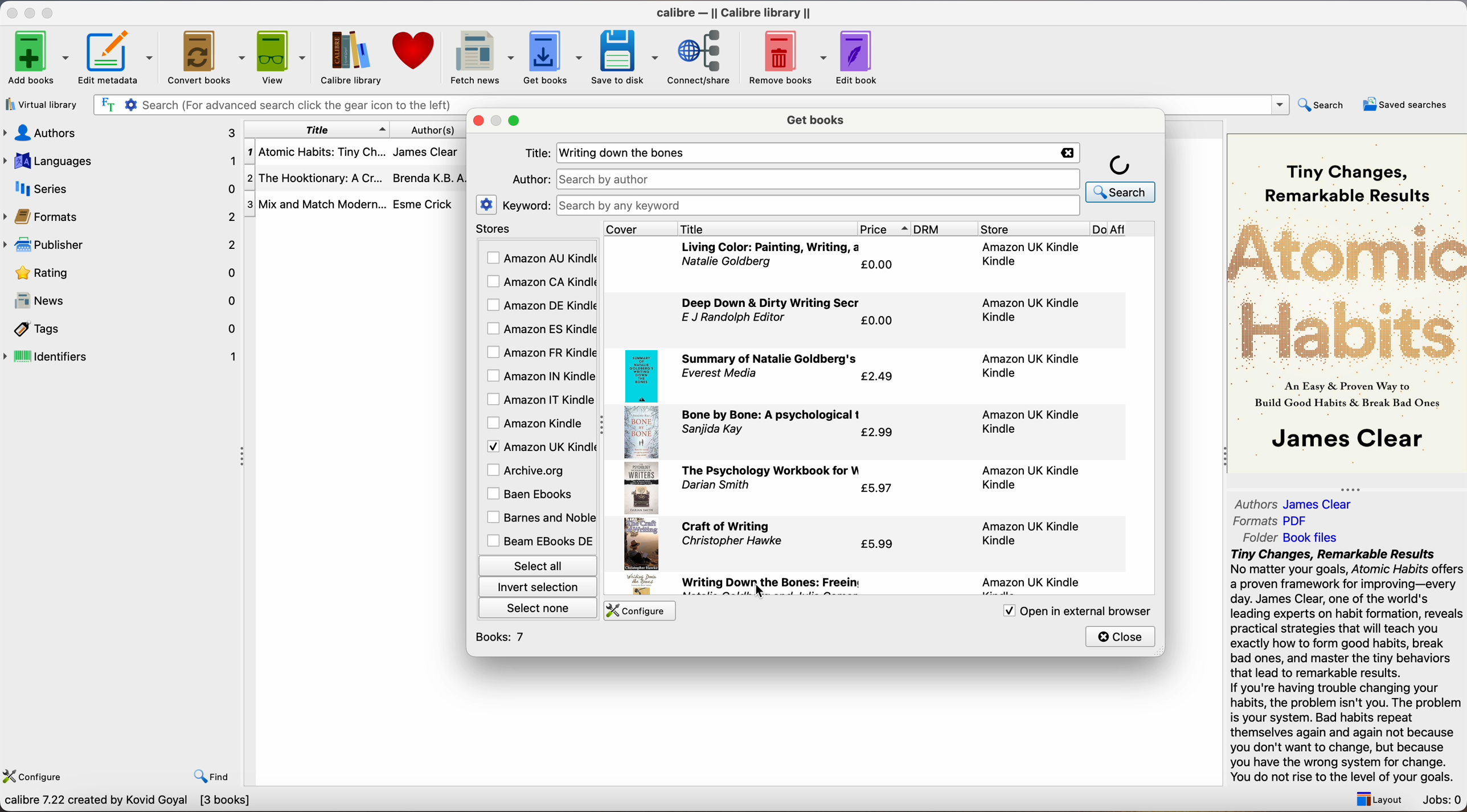 The height and width of the screenshot is (812, 1467). Describe the element at coordinates (1376, 799) in the screenshot. I see `layout` at that location.